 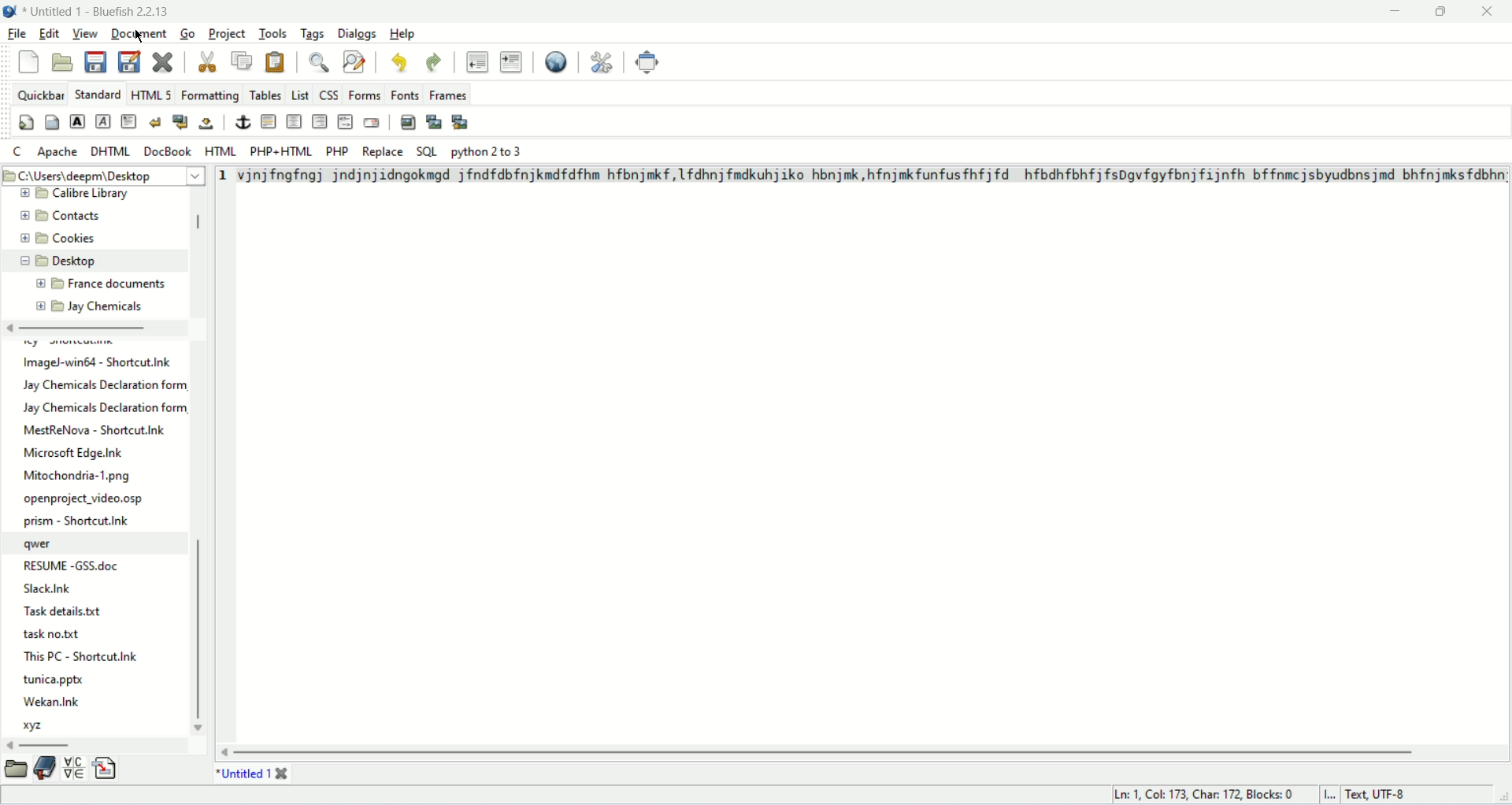 I want to click on Desktop, so click(x=79, y=261).